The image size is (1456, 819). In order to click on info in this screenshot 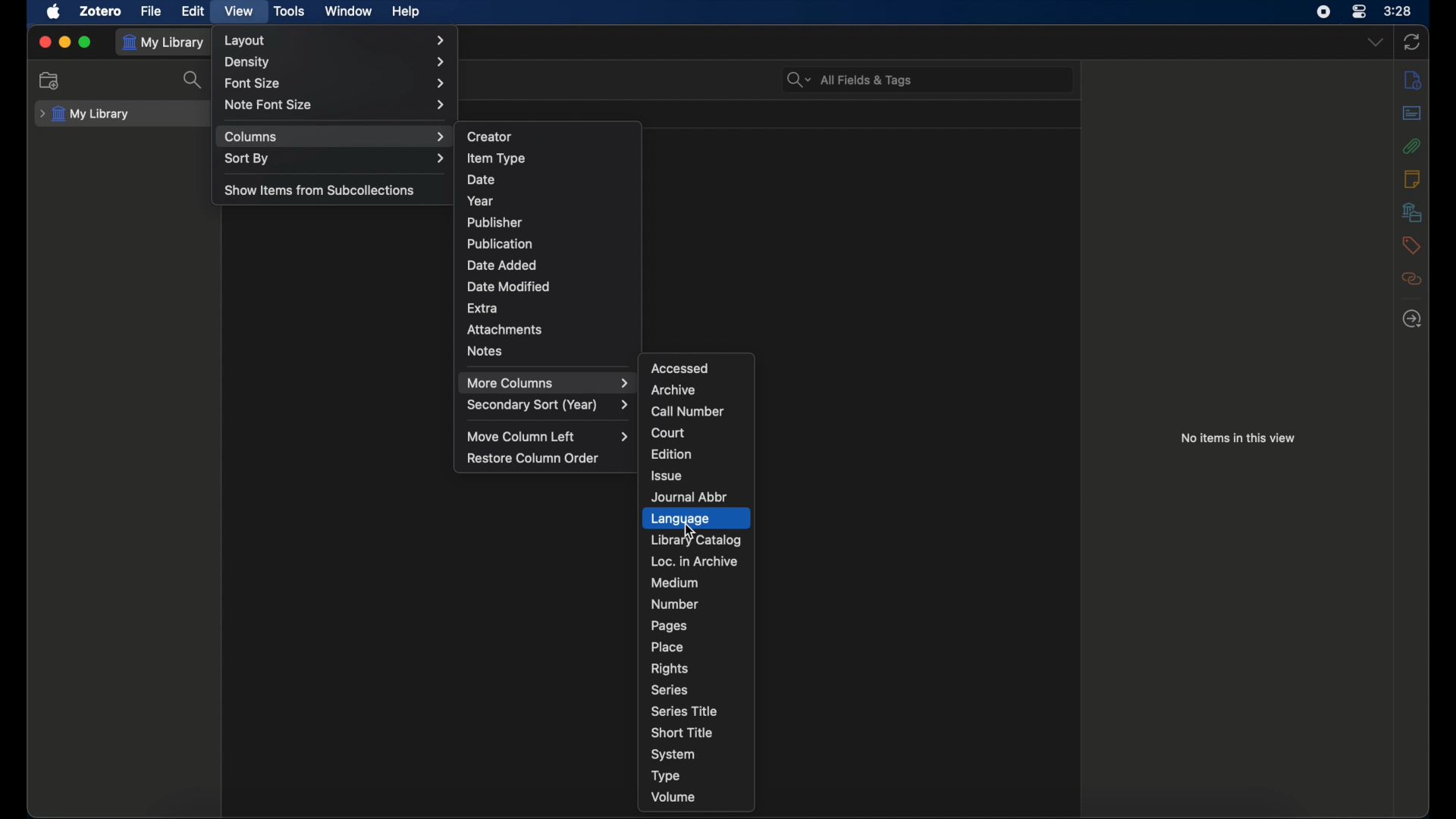, I will do `click(1412, 178)`.